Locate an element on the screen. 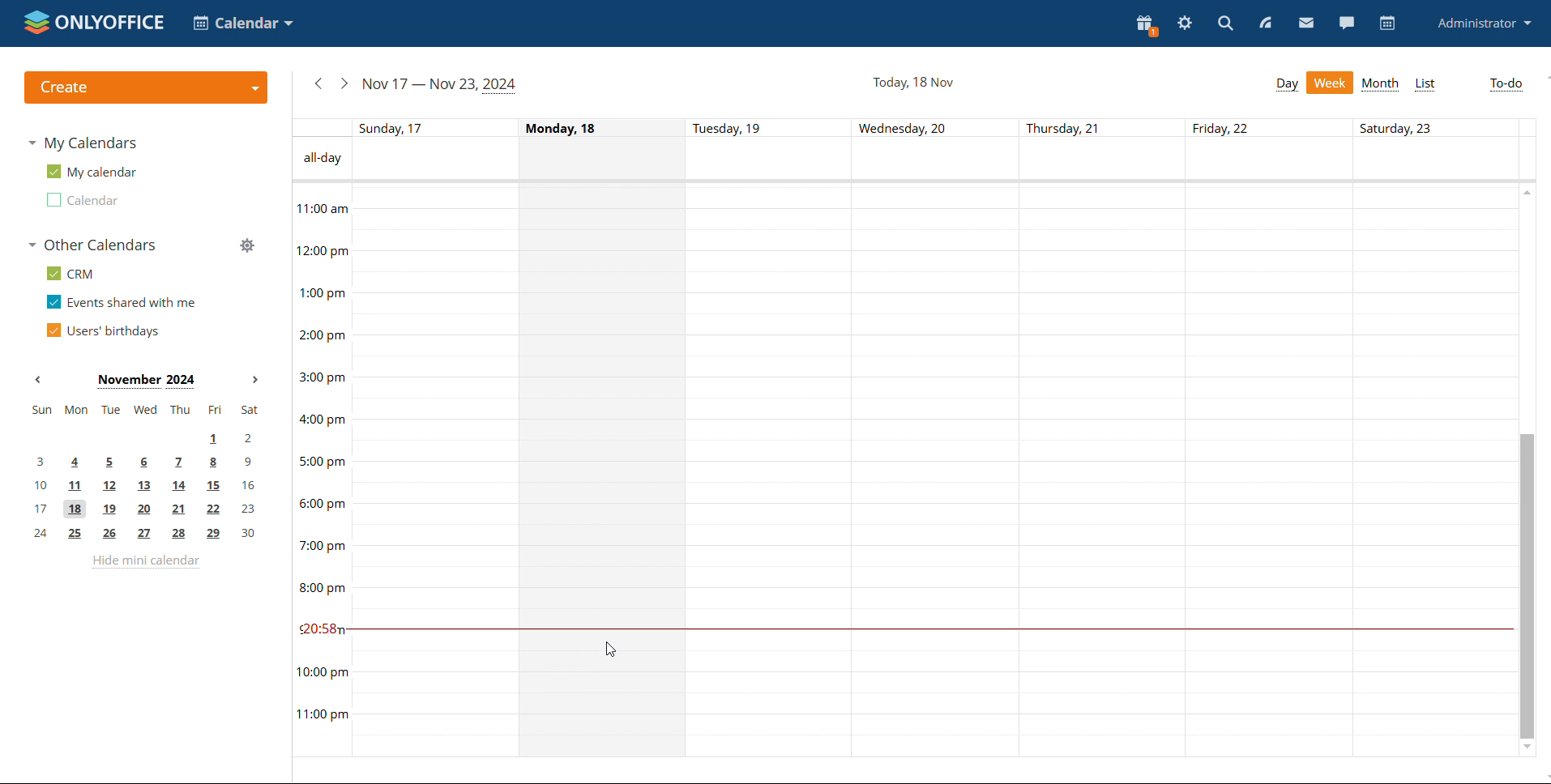 The image size is (1551, 784). All-day is located at coordinates (321, 159).